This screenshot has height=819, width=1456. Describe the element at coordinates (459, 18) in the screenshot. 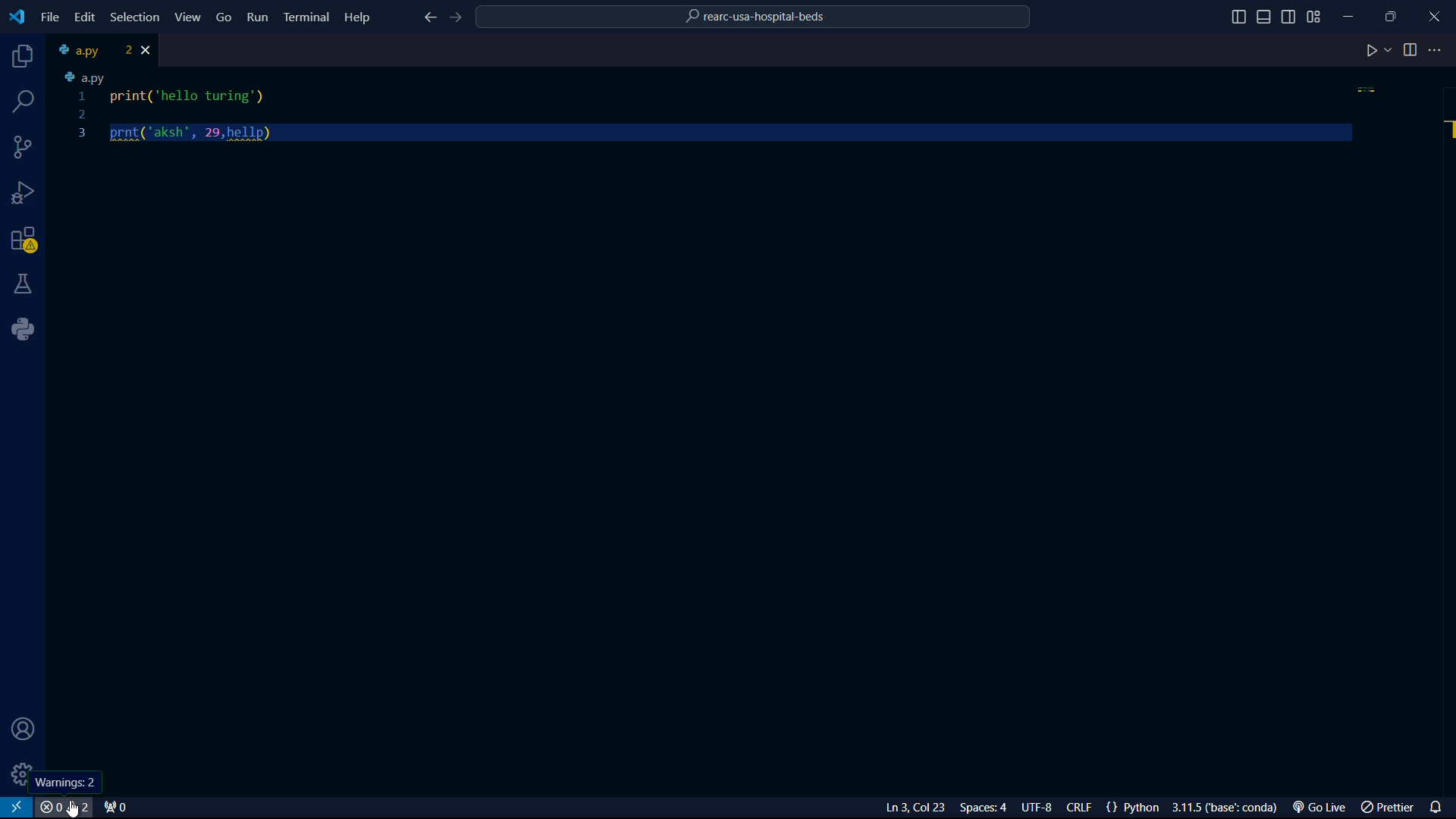

I see `foward` at that location.